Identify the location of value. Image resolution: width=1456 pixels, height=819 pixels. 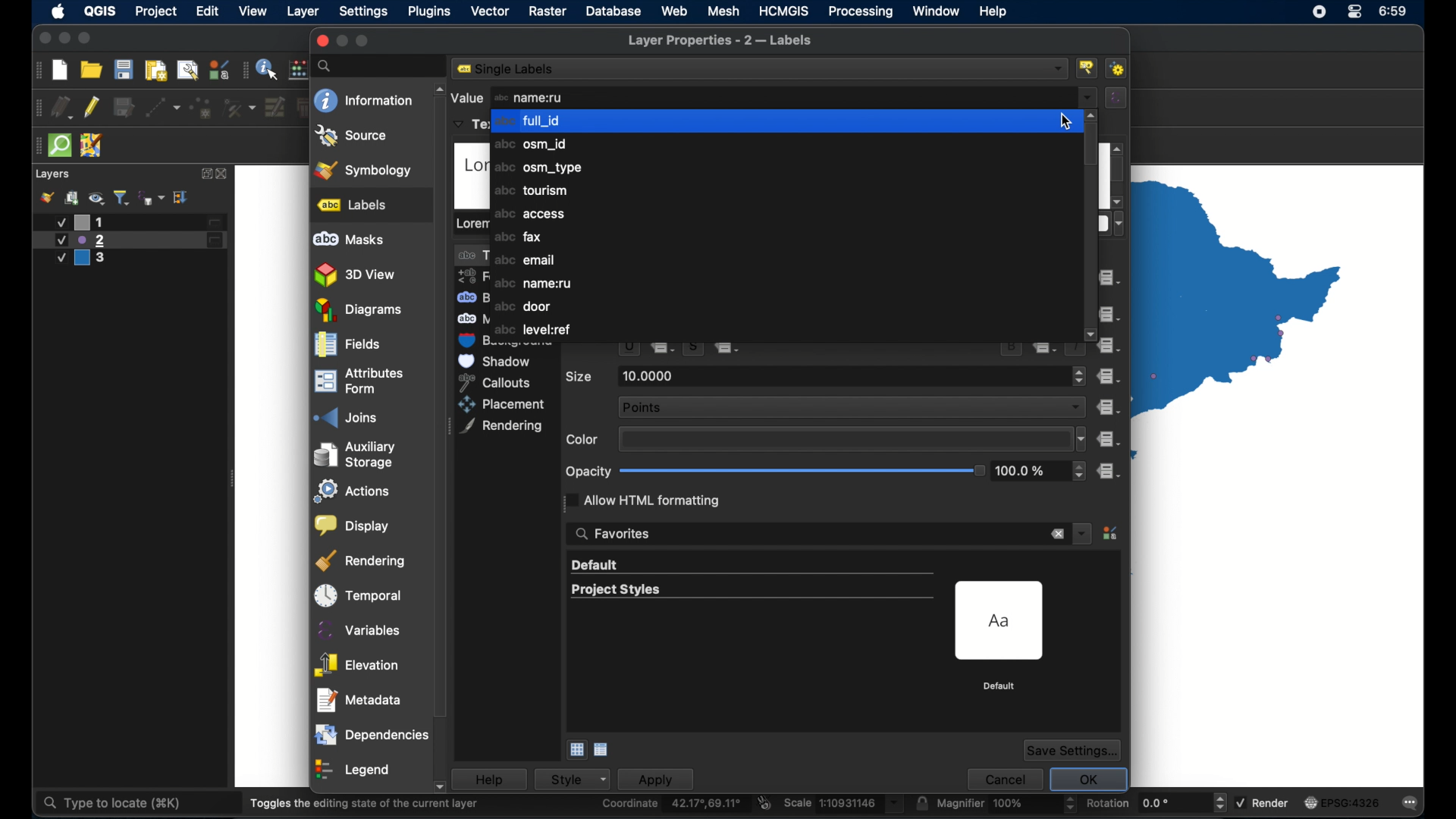
(466, 97).